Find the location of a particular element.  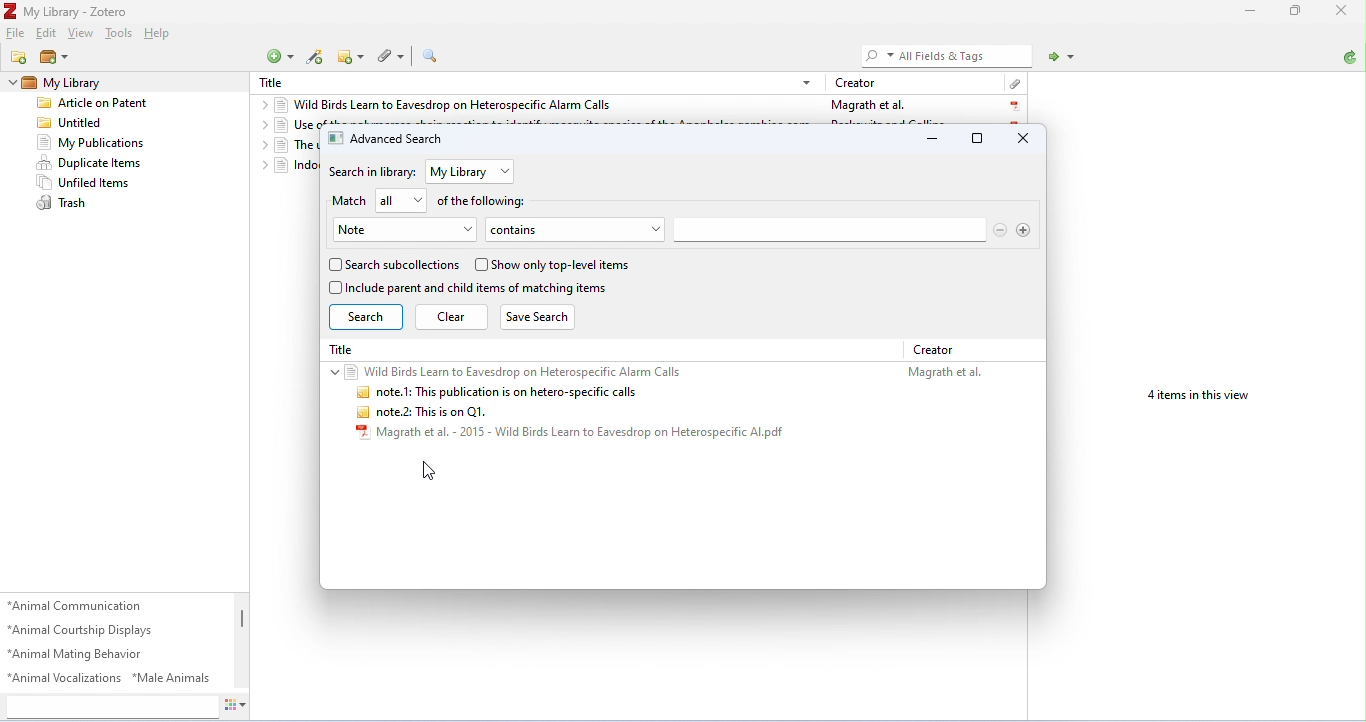

attachment is located at coordinates (1015, 83).